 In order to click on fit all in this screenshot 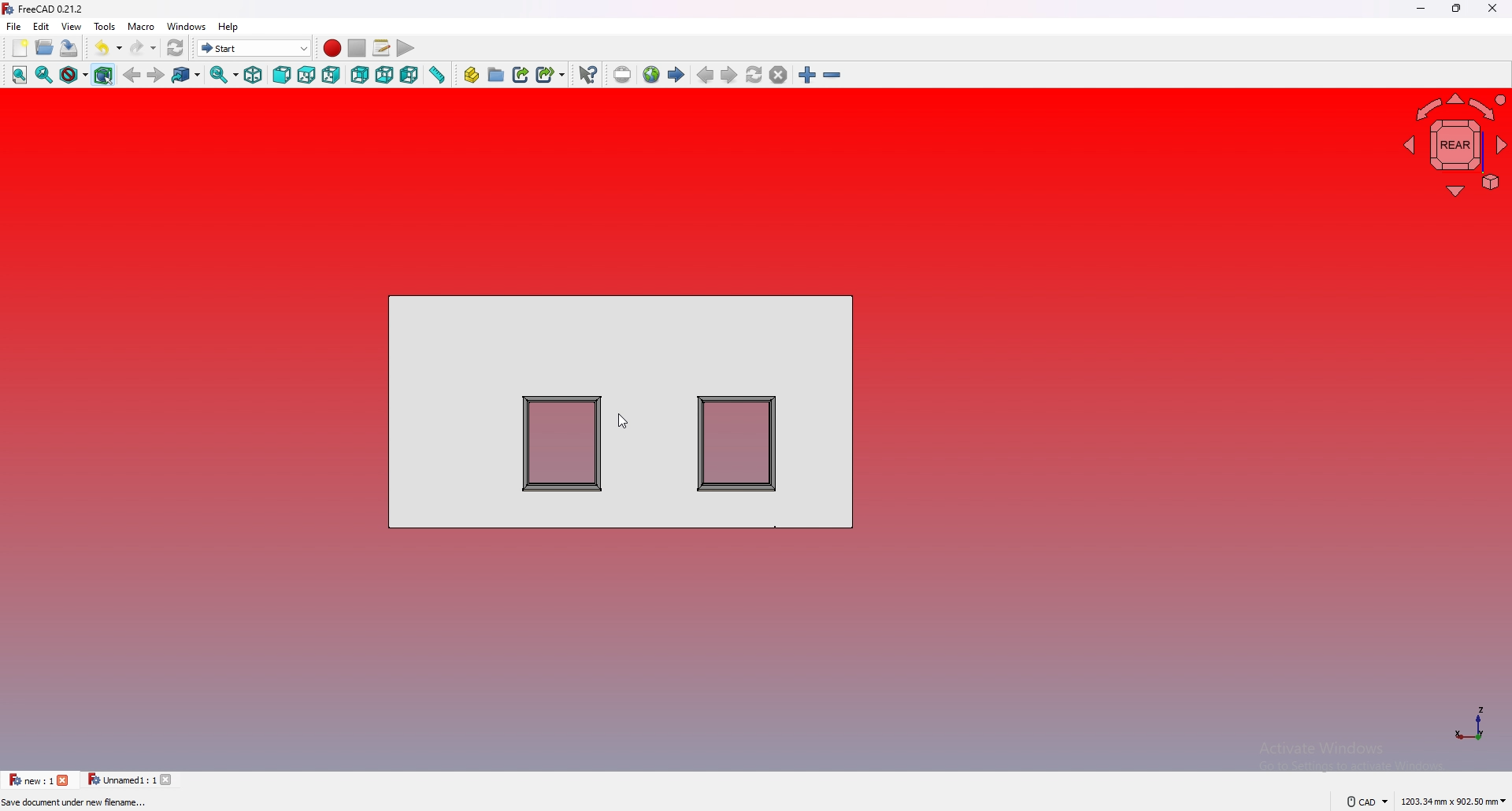, I will do `click(20, 74)`.